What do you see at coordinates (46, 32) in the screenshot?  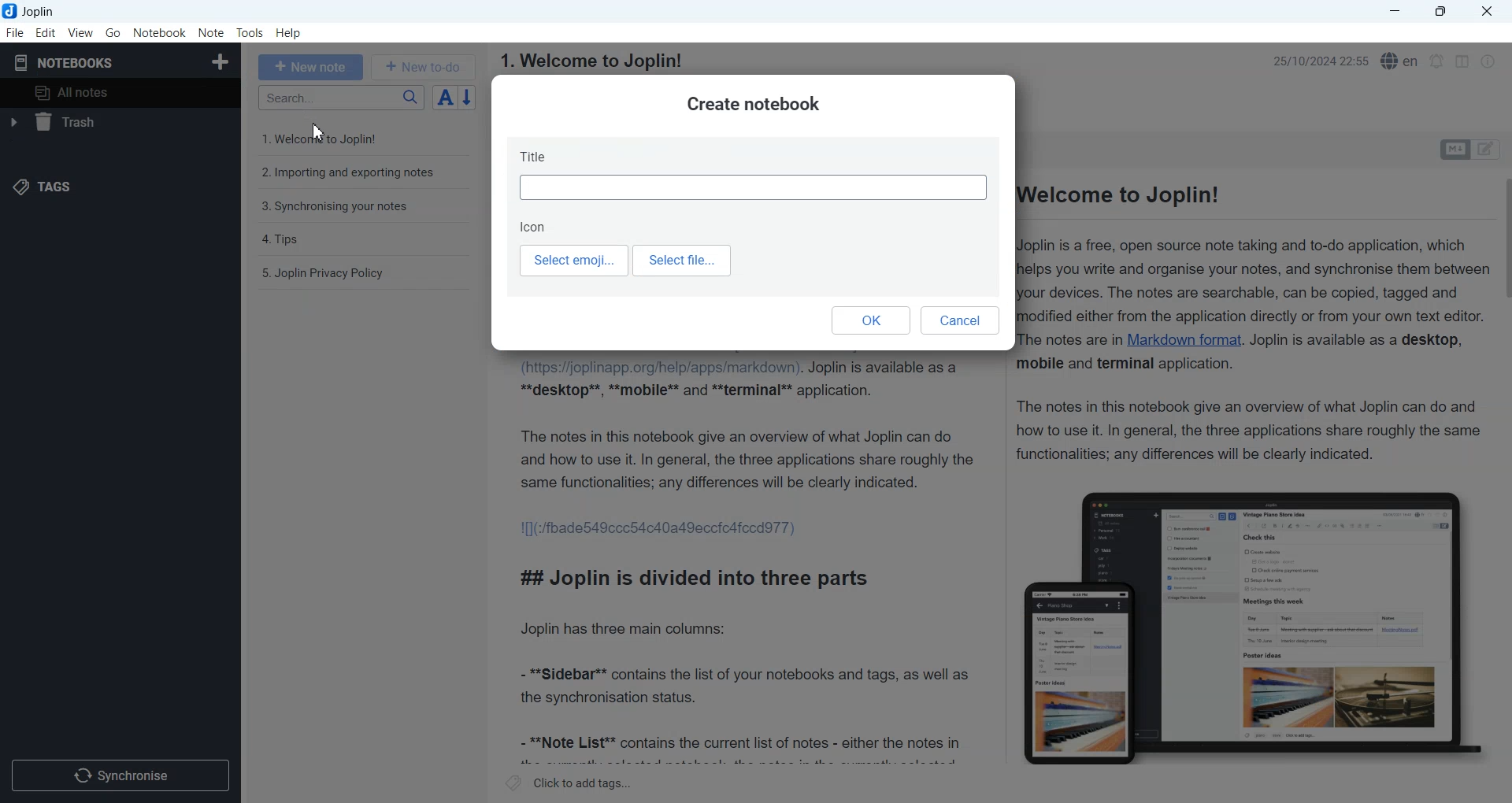 I see `Edit` at bounding box center [46, 32].